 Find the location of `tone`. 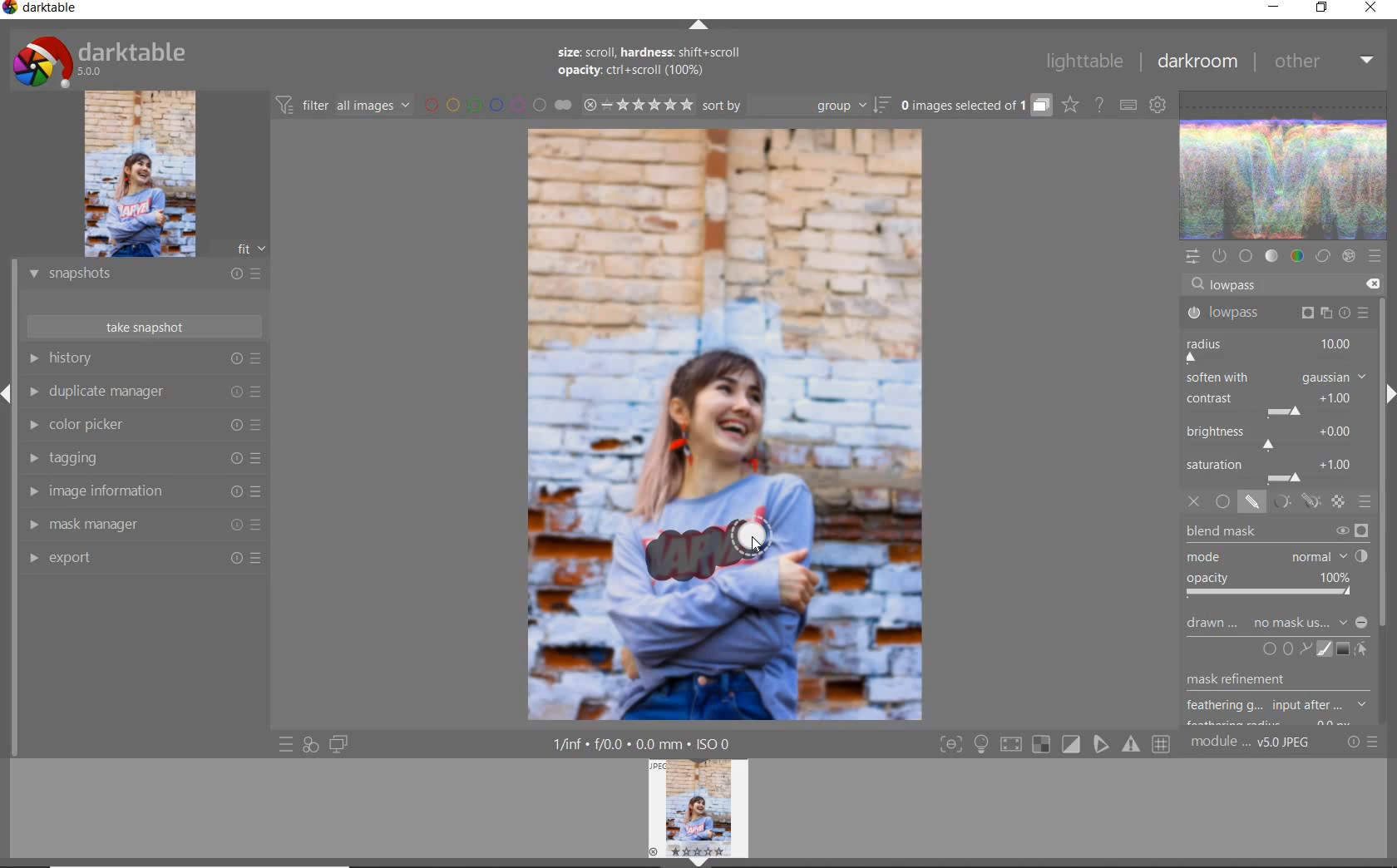

tone is located at coordinates (1272, 257).